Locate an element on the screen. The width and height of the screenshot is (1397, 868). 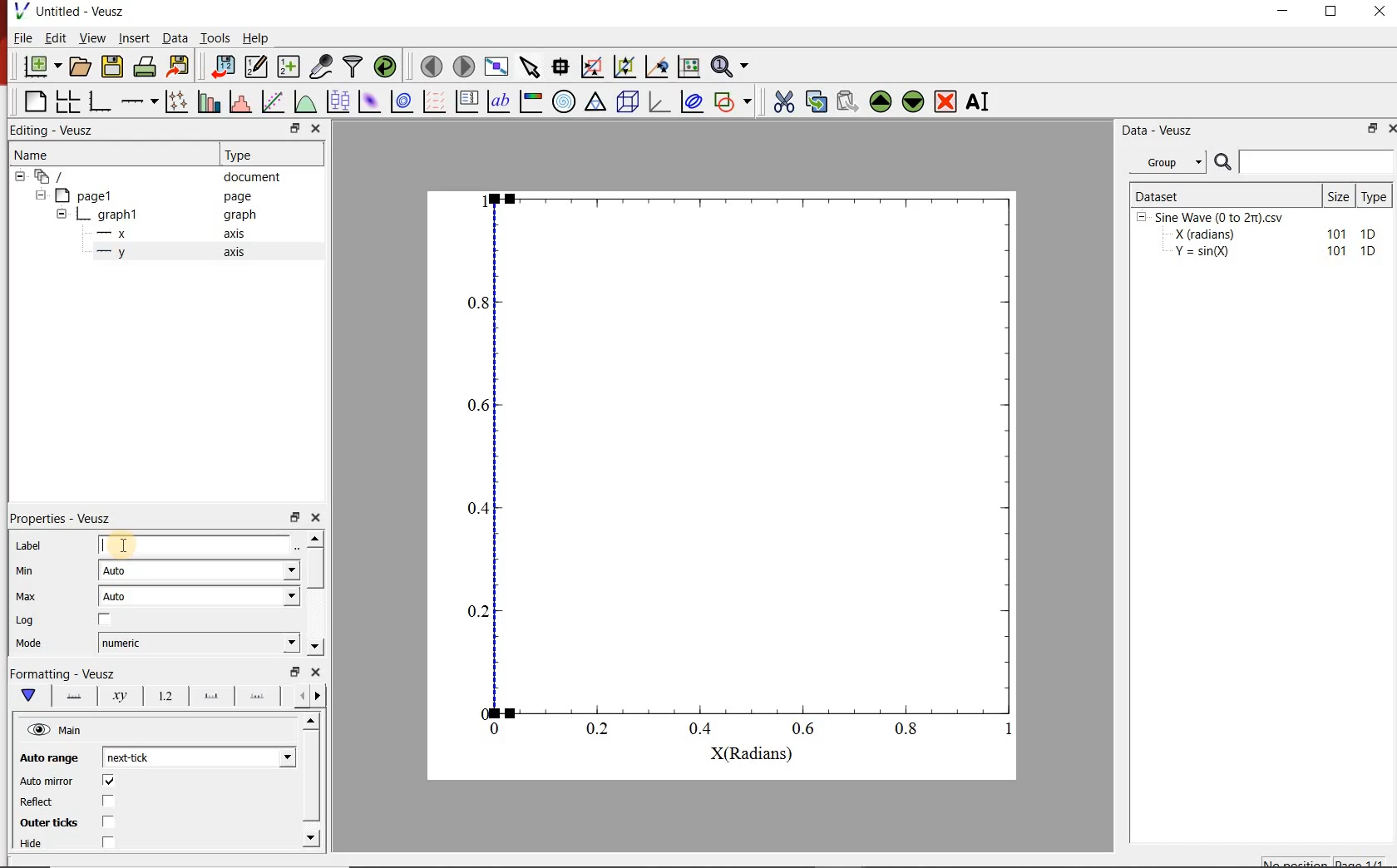
plot key is located at coordinates (468, 101).